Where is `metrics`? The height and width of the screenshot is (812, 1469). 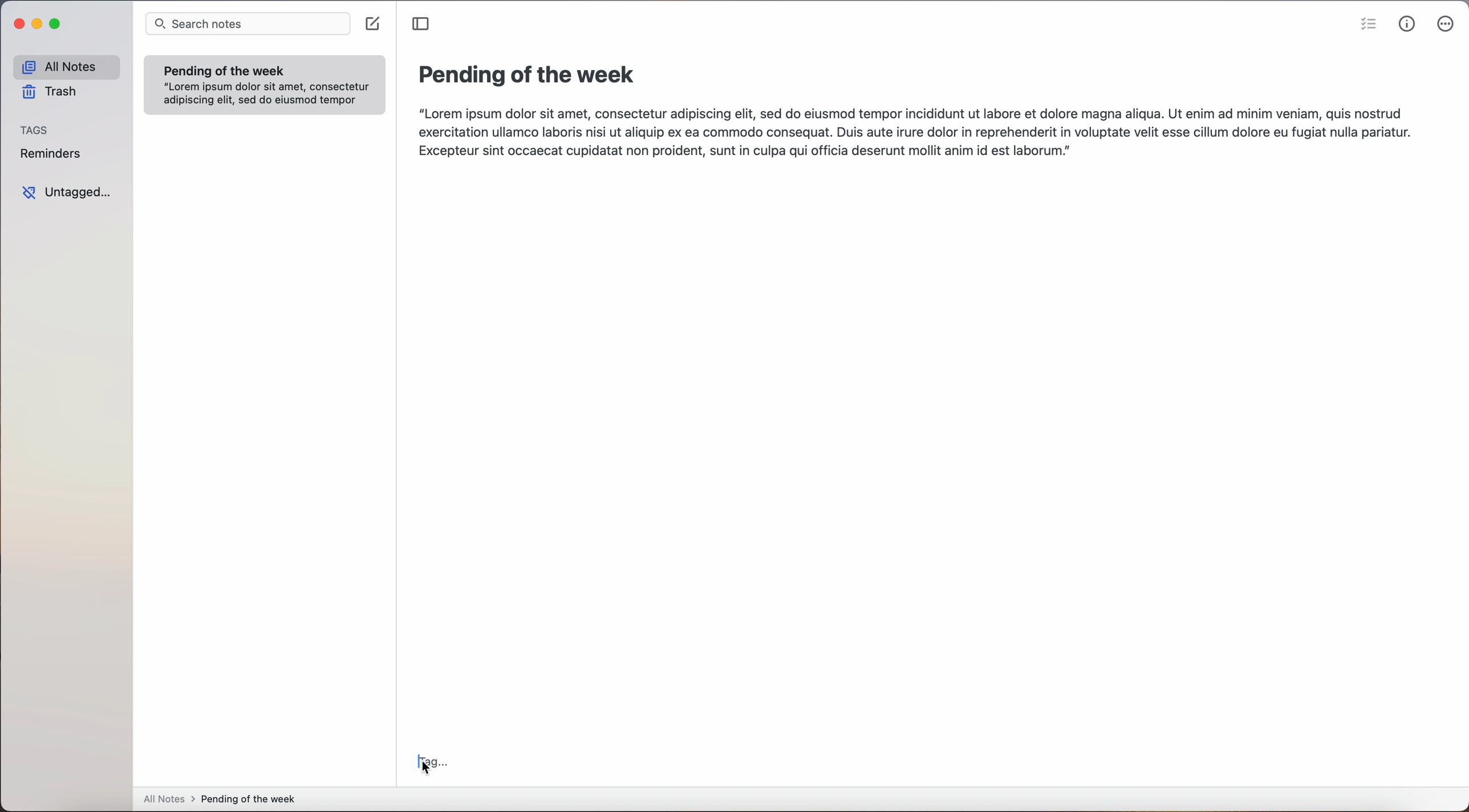 metrics is located at coordinates (1407, 24).